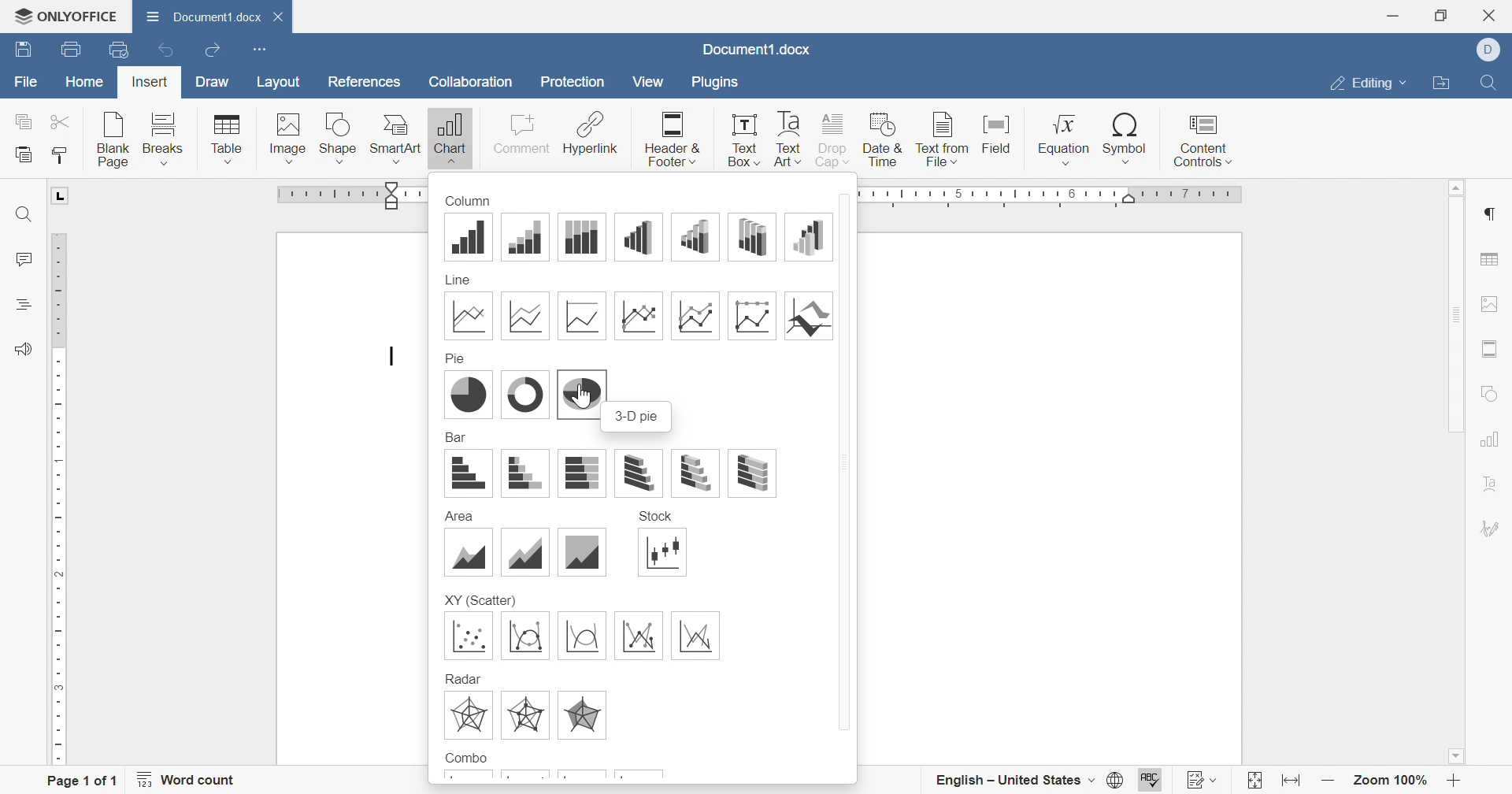  What do you see at coordinates (580, 636) in the screenshot?
I see `Scatter with smooth lines` at bounding box center [580, 636].